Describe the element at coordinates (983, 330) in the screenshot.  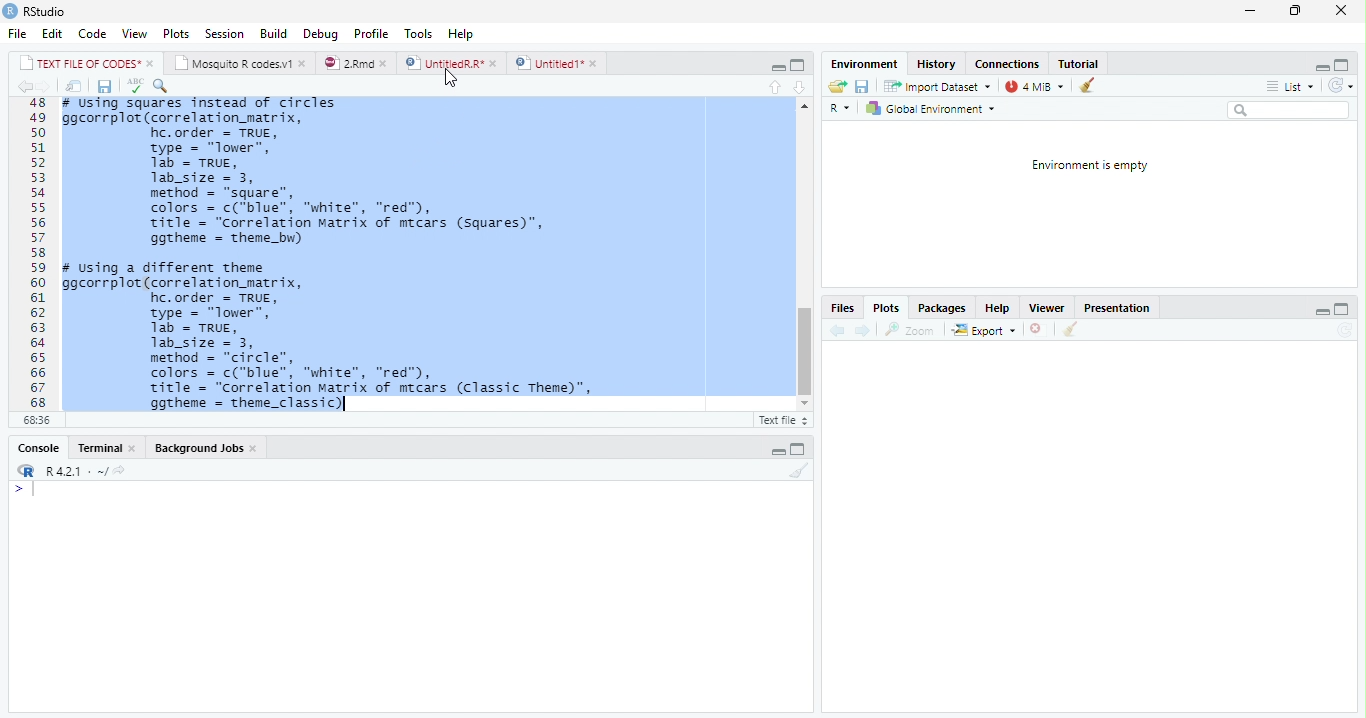
I see `Export ` at that location.